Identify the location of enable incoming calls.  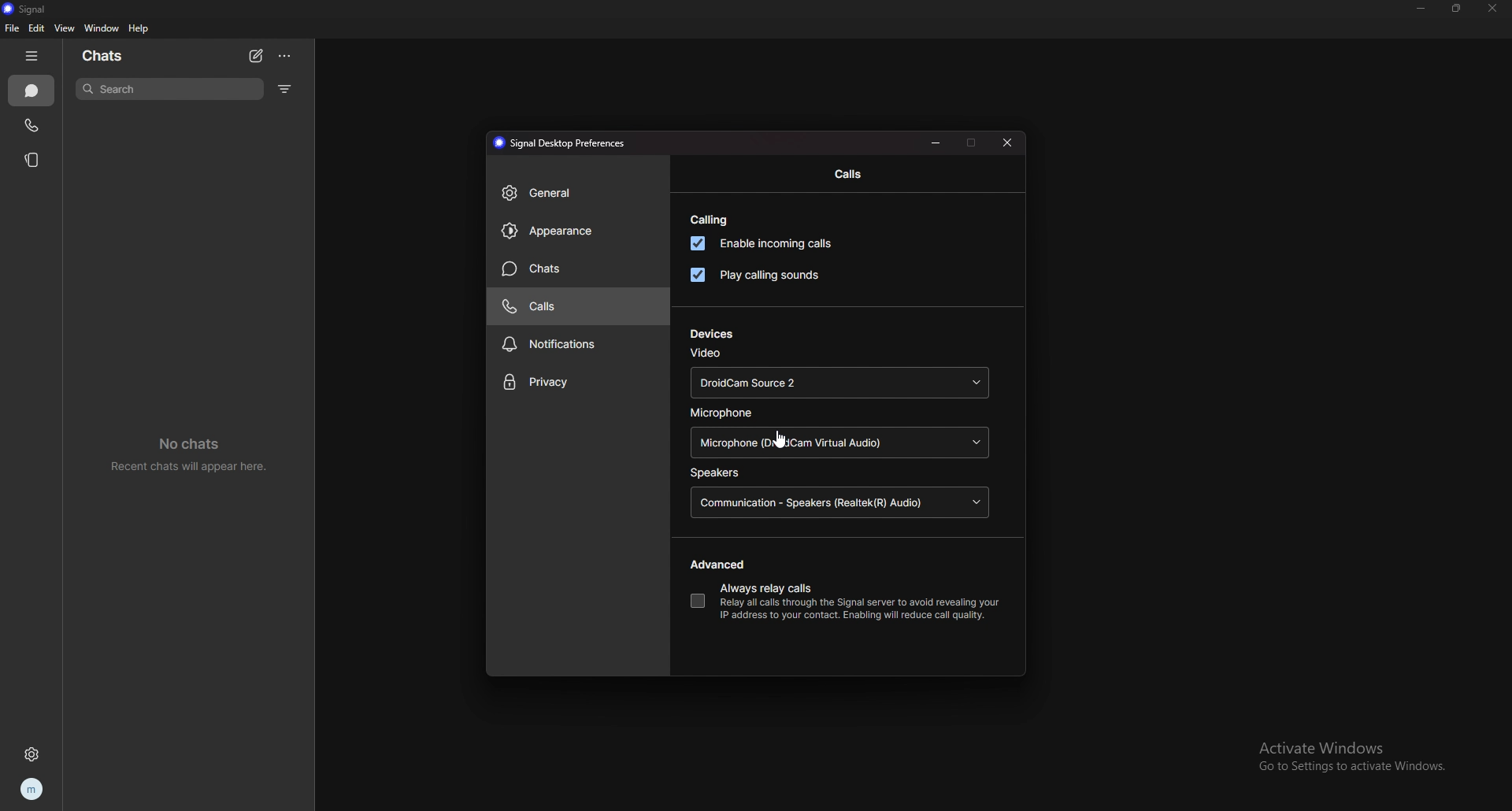
(766, 243).